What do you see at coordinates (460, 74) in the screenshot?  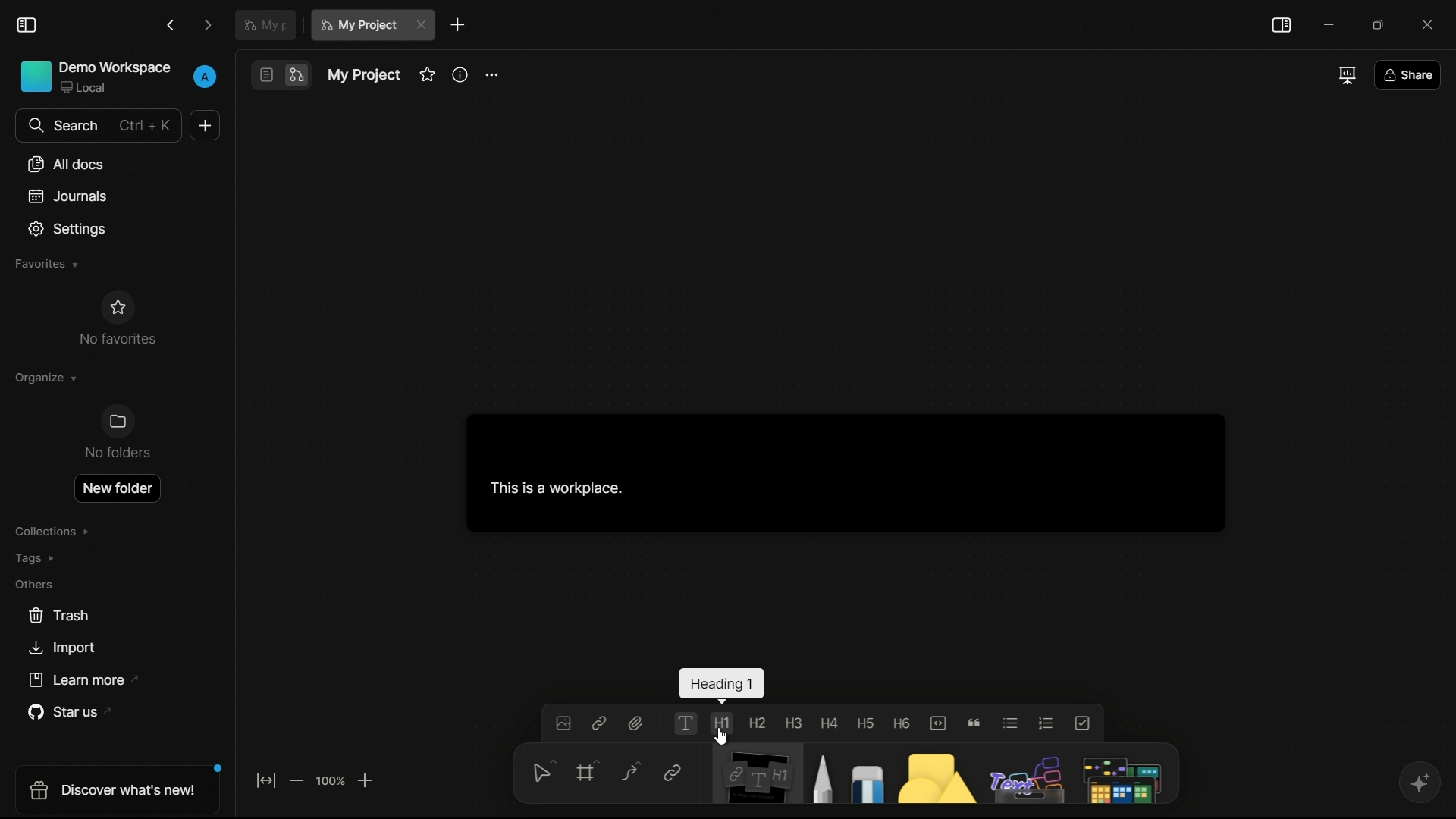 I see `info` at bounding box center [460, 74].